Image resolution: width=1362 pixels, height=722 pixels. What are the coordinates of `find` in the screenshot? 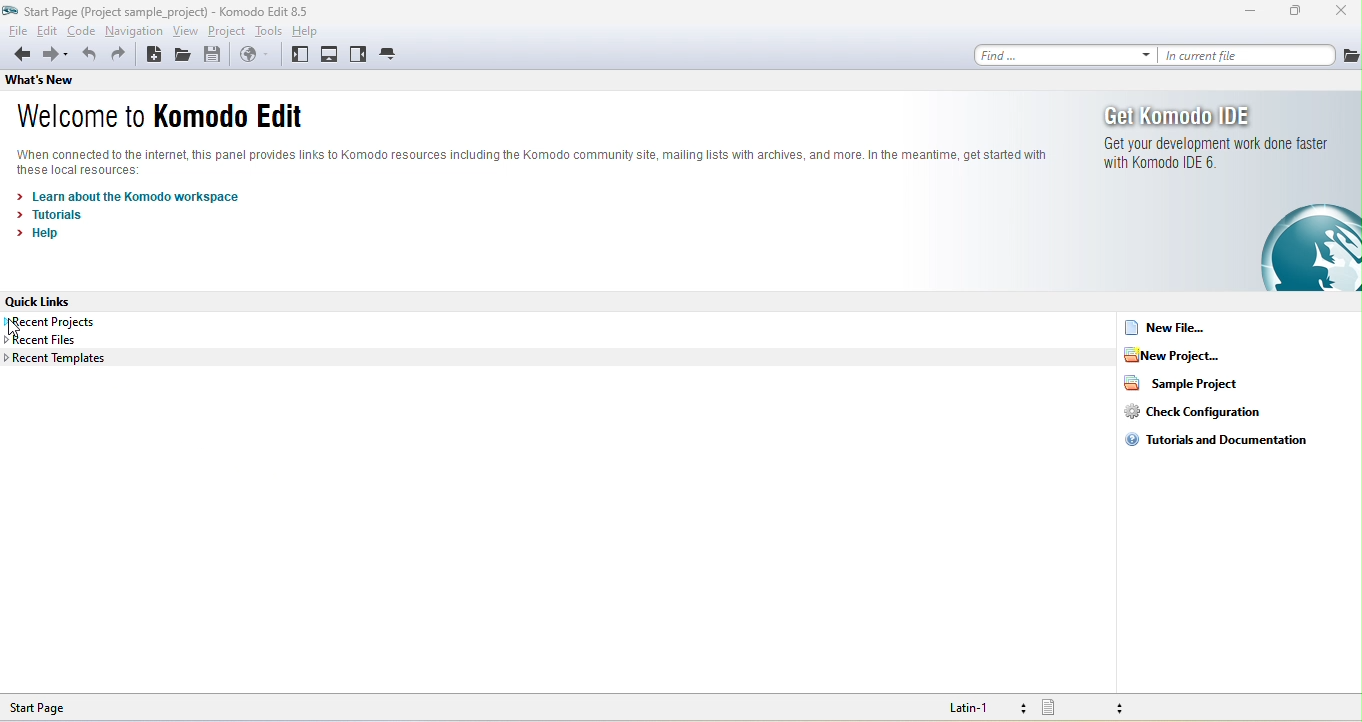 It's located at (1065, 54).